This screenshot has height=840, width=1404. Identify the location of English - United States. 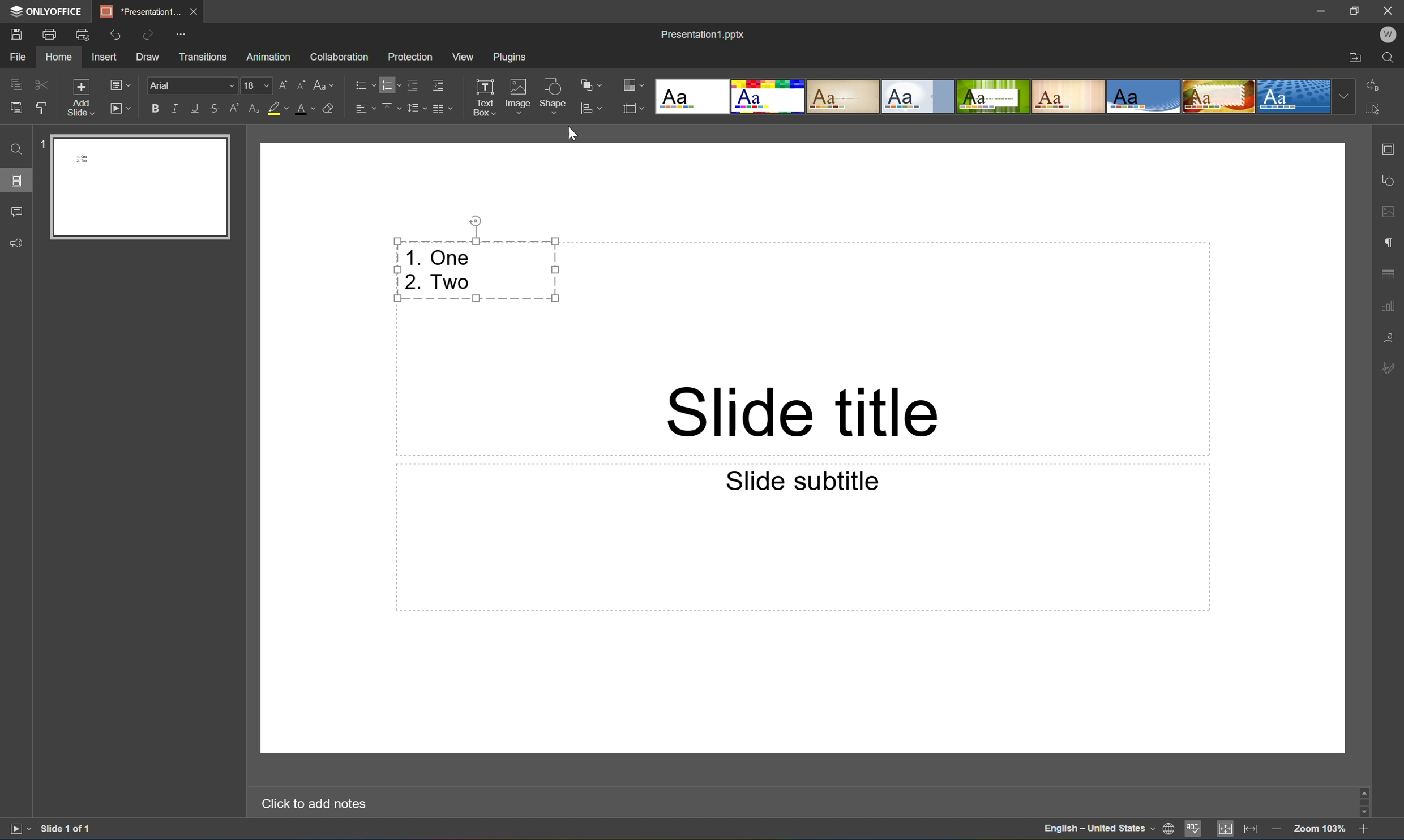
(1098, 832).